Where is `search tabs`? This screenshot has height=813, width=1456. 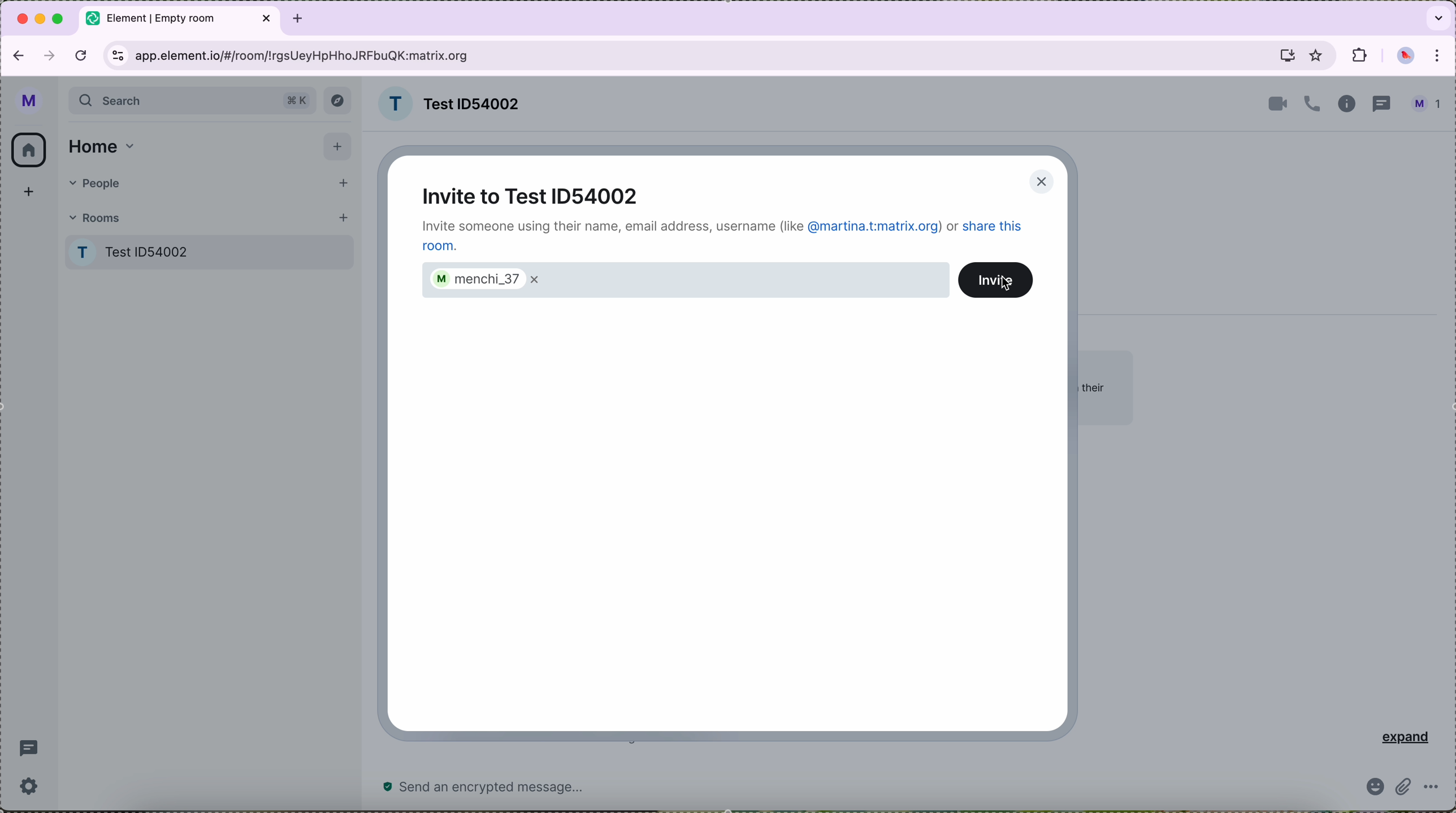
search tabs is located at coordinates (1435, 18).